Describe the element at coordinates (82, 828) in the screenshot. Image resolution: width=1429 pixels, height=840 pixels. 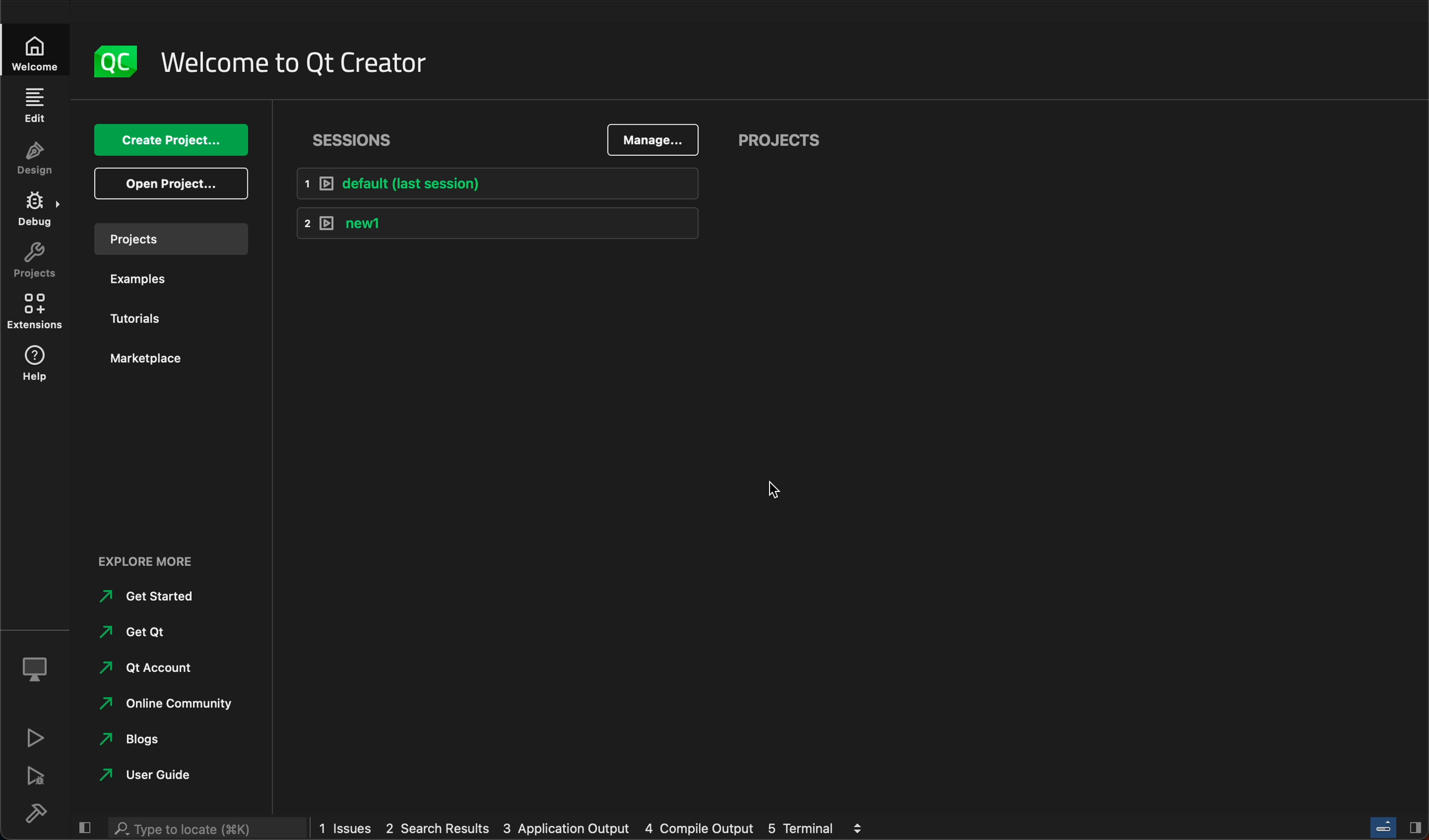
I see `hide/show left sidebar` at that location.